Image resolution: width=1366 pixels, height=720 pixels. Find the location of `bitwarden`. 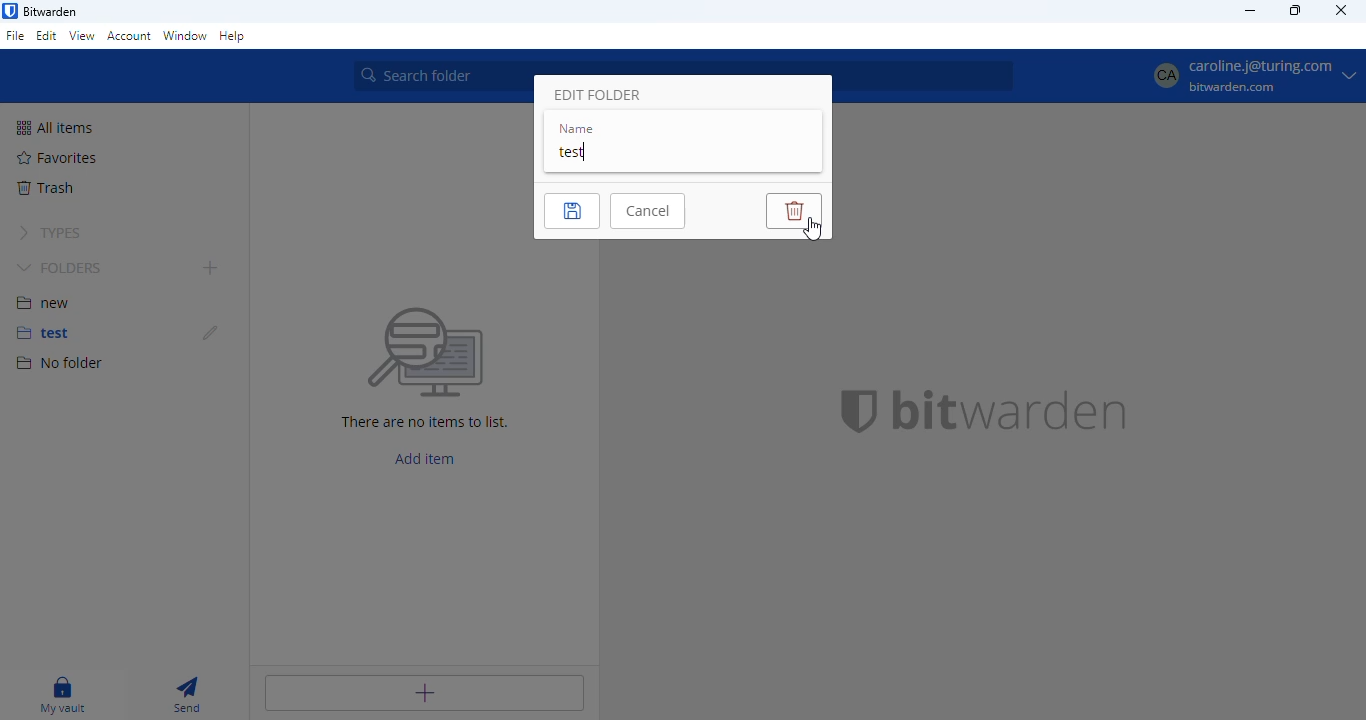

bitwarden is located at coordinates (1009, 410).